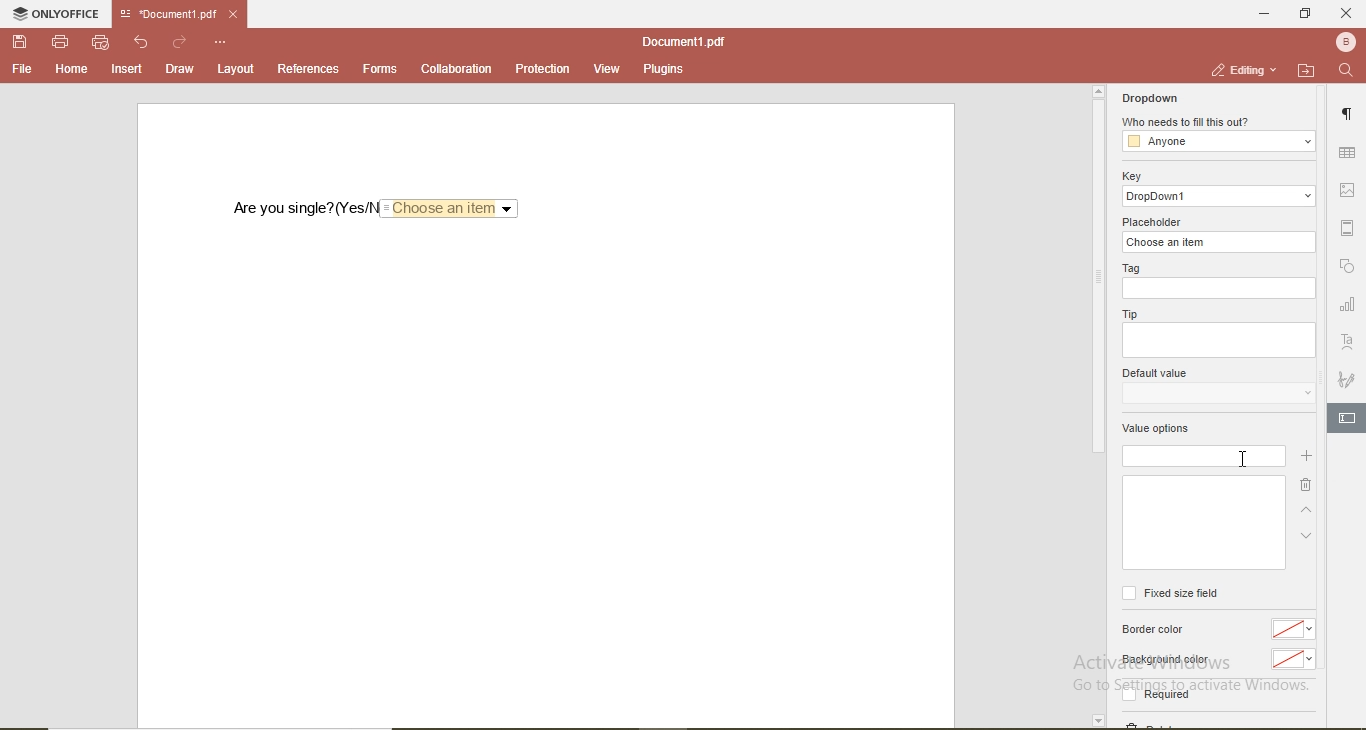 The width and height of the screenshot is (1366, 730). What do you see at coordinates (1307, 71) in the screenshot?
I see `open file location` at bounding box center [1307, 71].